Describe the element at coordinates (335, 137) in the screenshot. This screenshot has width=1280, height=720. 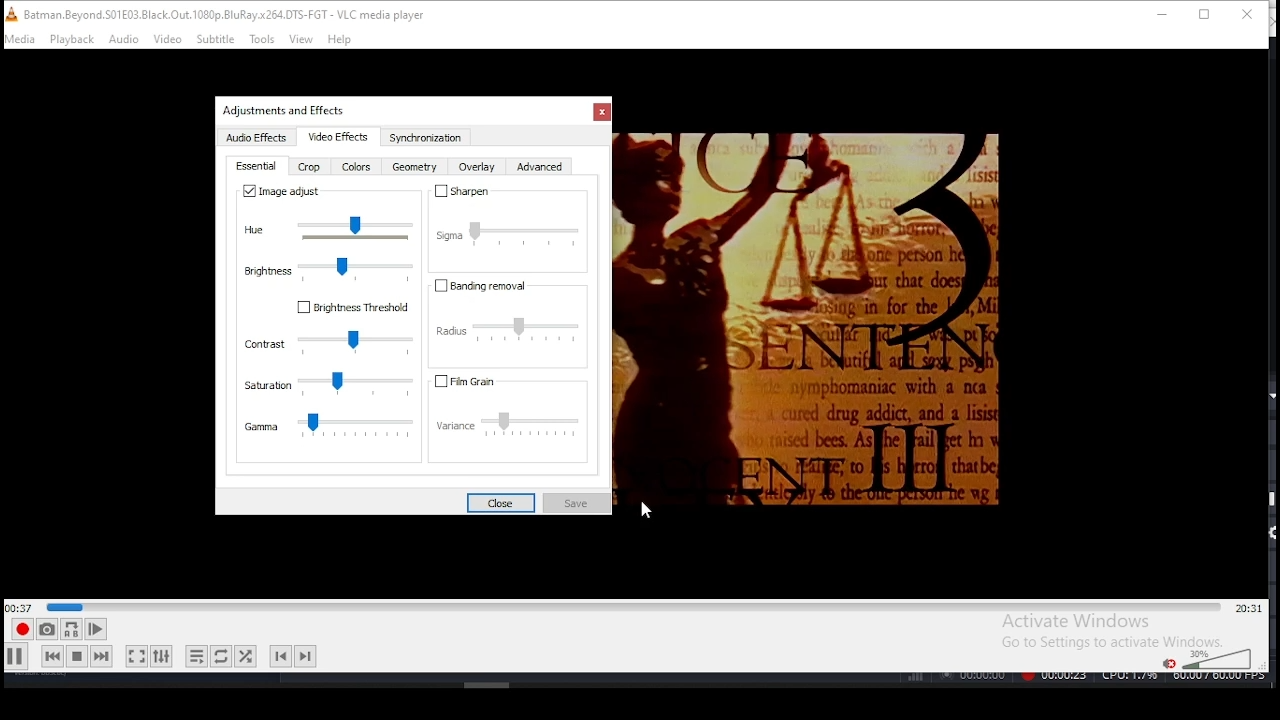
I see `video effects` at that location.